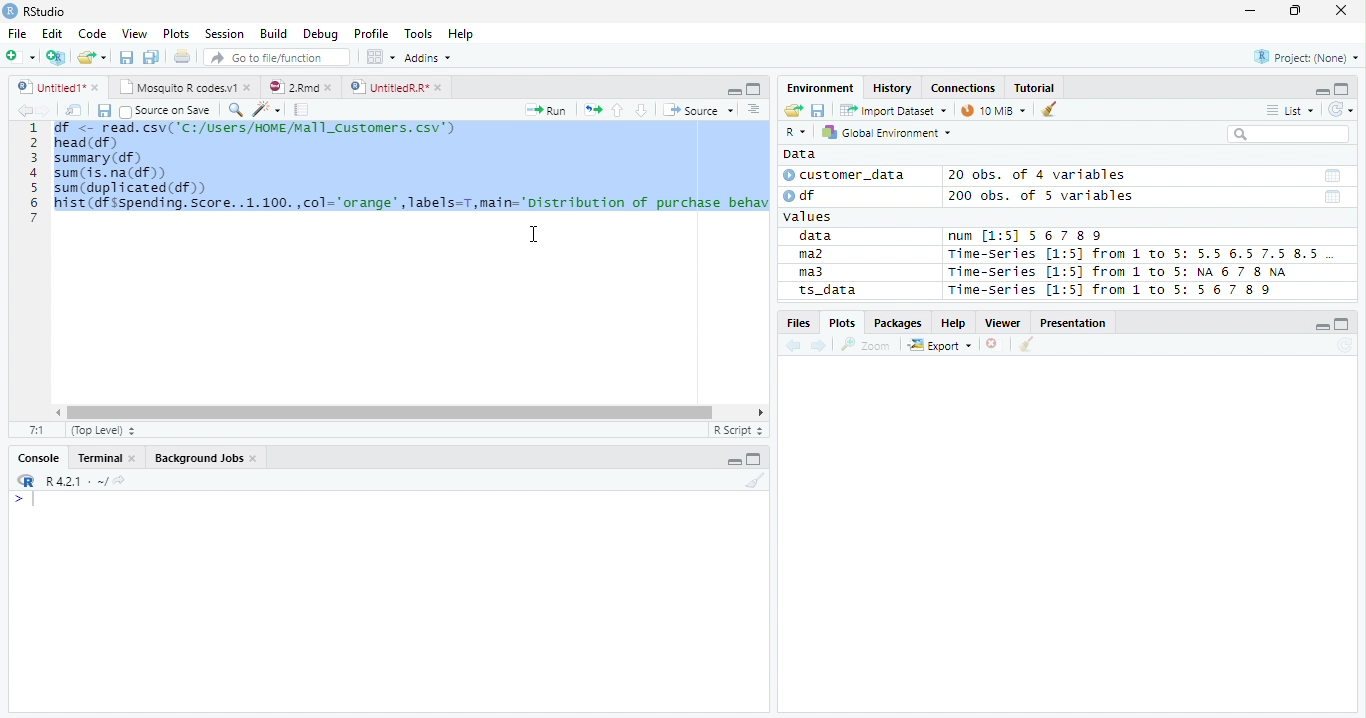 This screenshot has width=1366, height=718. What do you see at coordinates (1286, 134) in the screenshot?
I see `Search` at bounding box center [1286, 134].